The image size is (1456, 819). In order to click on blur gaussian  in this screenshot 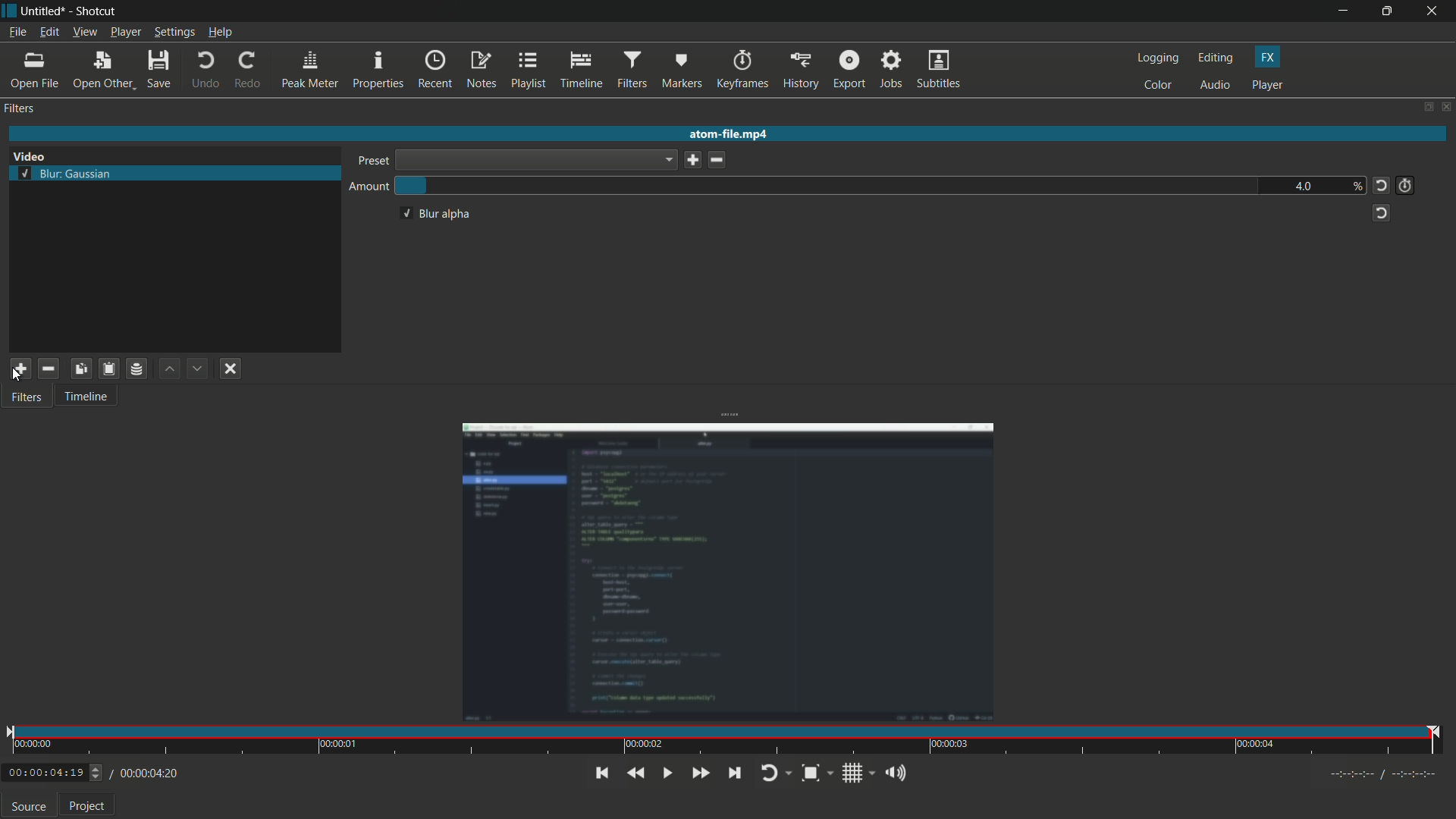, I will do `click(64, 174)`.